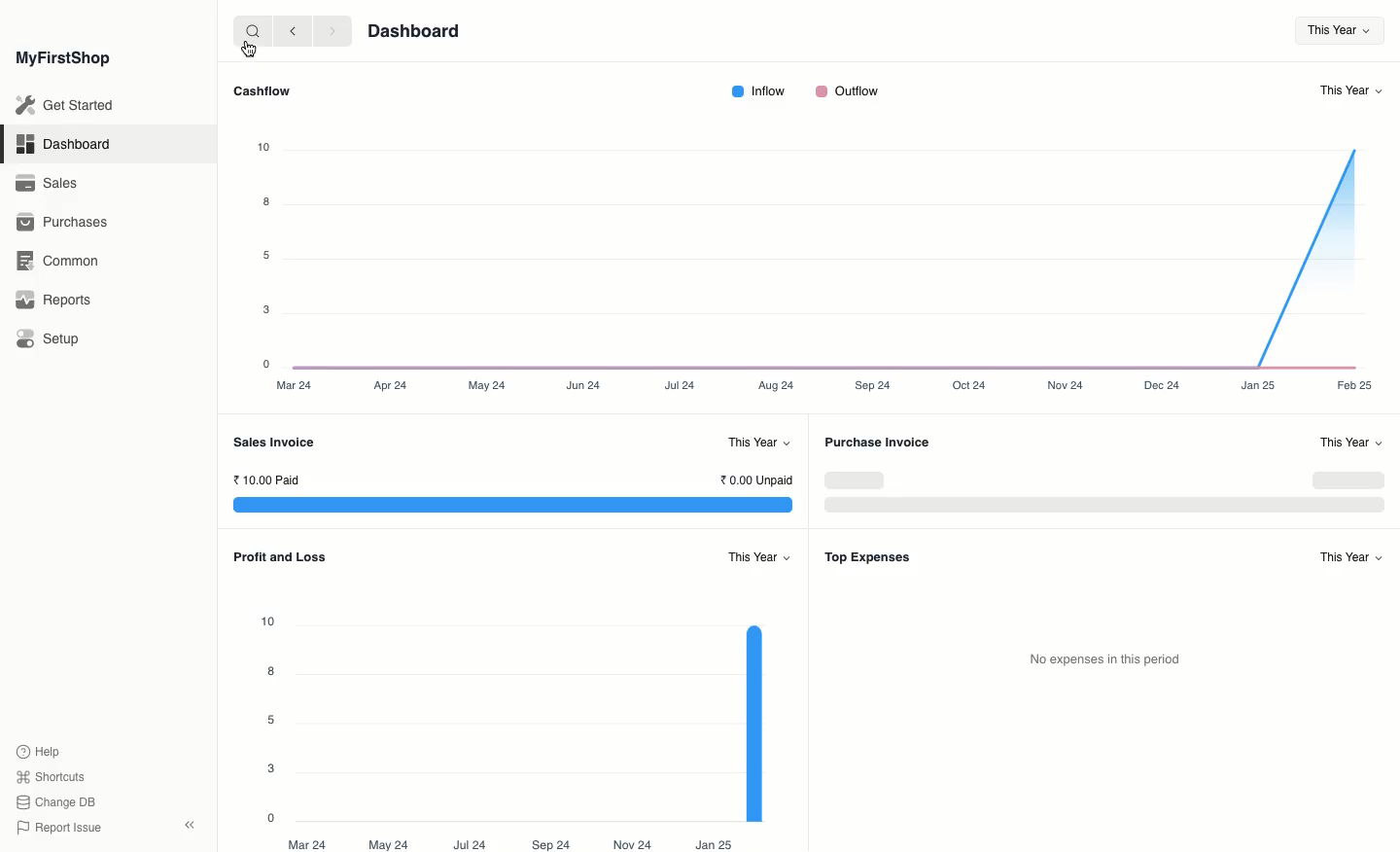  Describe the element at coordinates (1068, 385) in the screenshot. I see `Nov 24` at that location.